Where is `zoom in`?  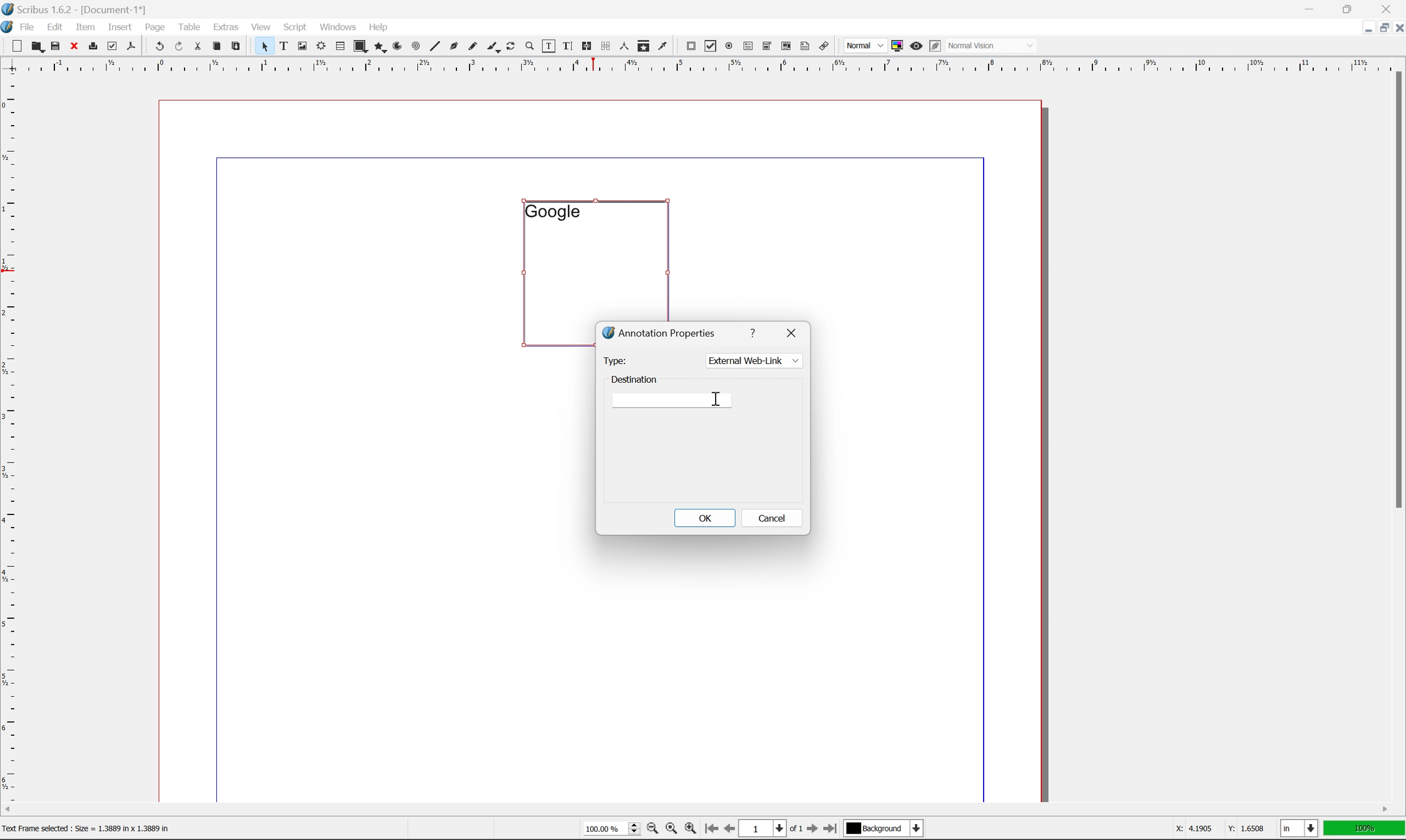
zoom in is located at coordinates (690, 829).